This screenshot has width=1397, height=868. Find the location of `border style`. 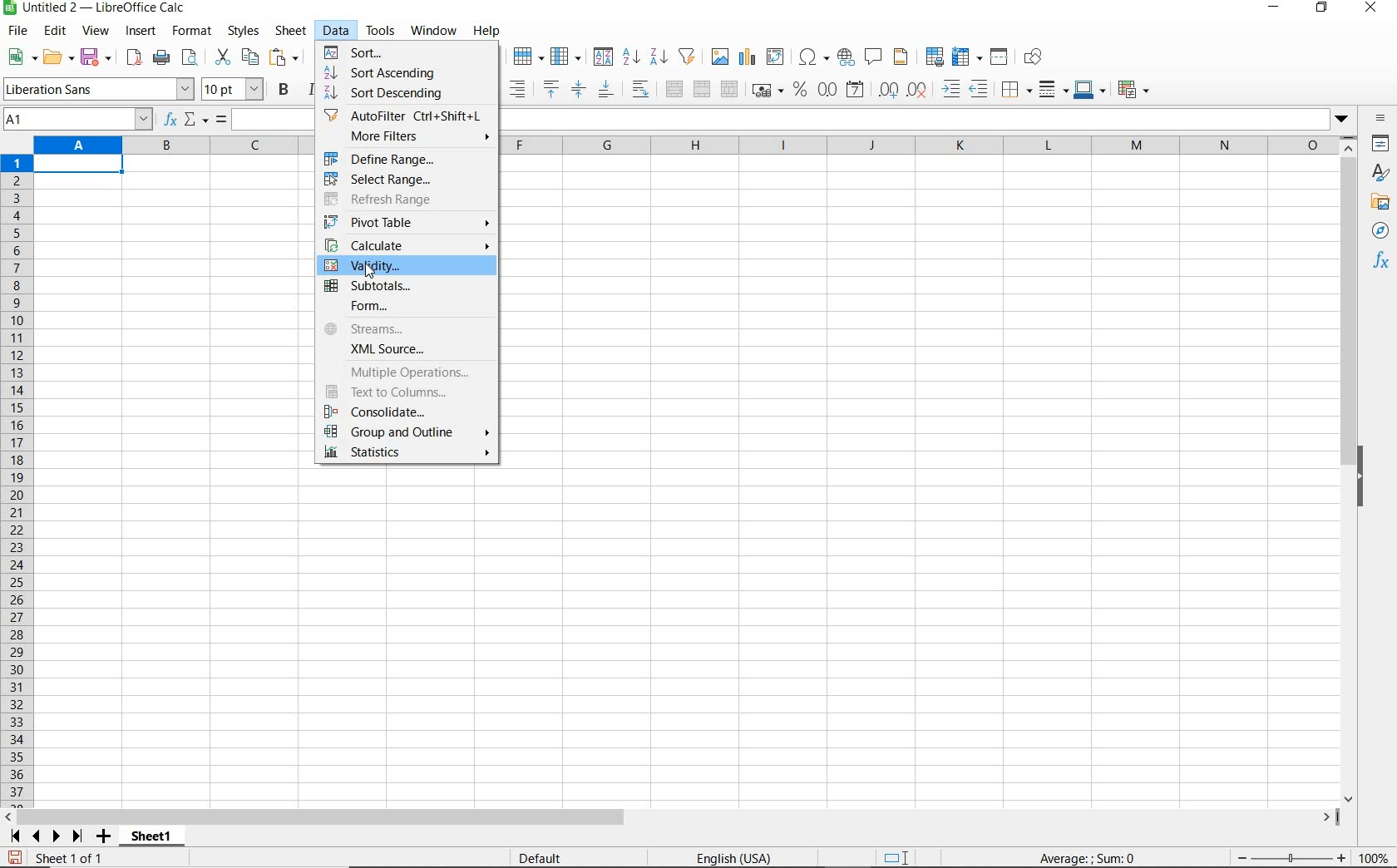

border style is located at coordinates (1054, 89).